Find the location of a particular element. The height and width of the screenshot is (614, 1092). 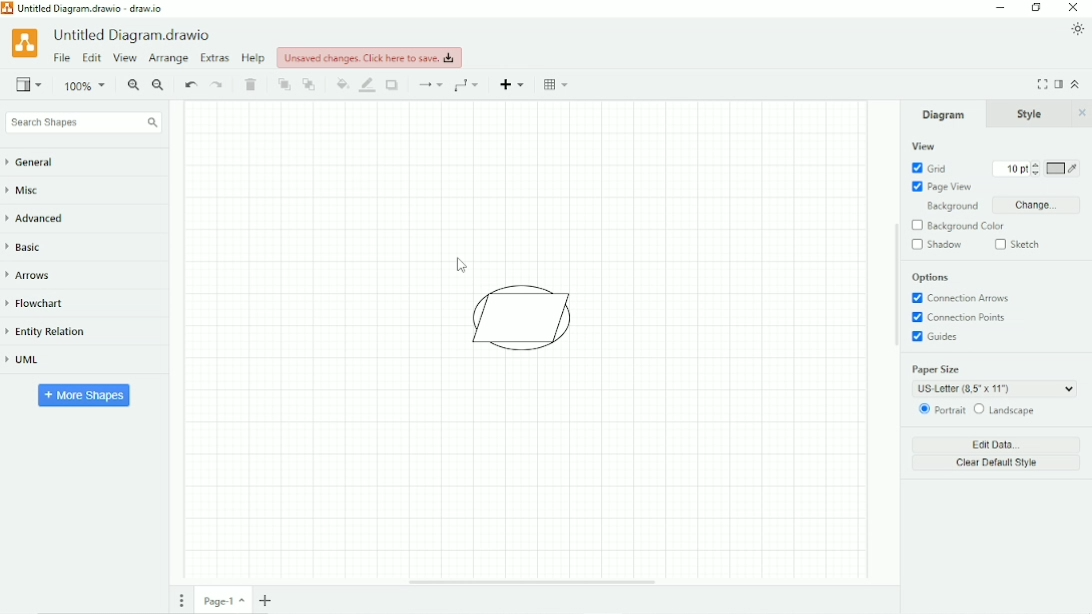

Options is located at coordinates (931, 278).